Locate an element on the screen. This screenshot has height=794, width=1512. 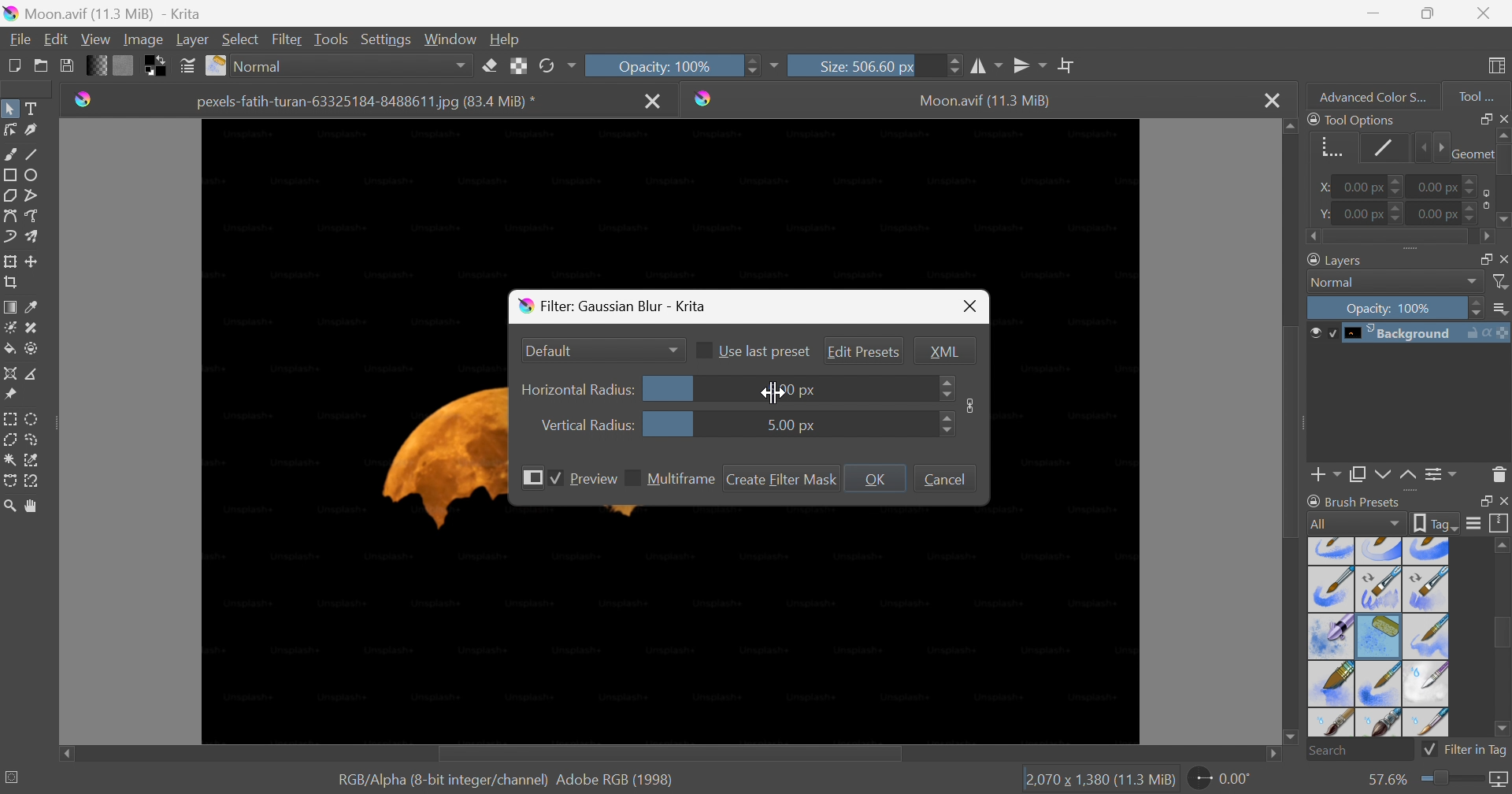
pexels-fatih-turan-63325184-8488611.jpg (83.4 MiB) *) is located at coordinates (367, 102).